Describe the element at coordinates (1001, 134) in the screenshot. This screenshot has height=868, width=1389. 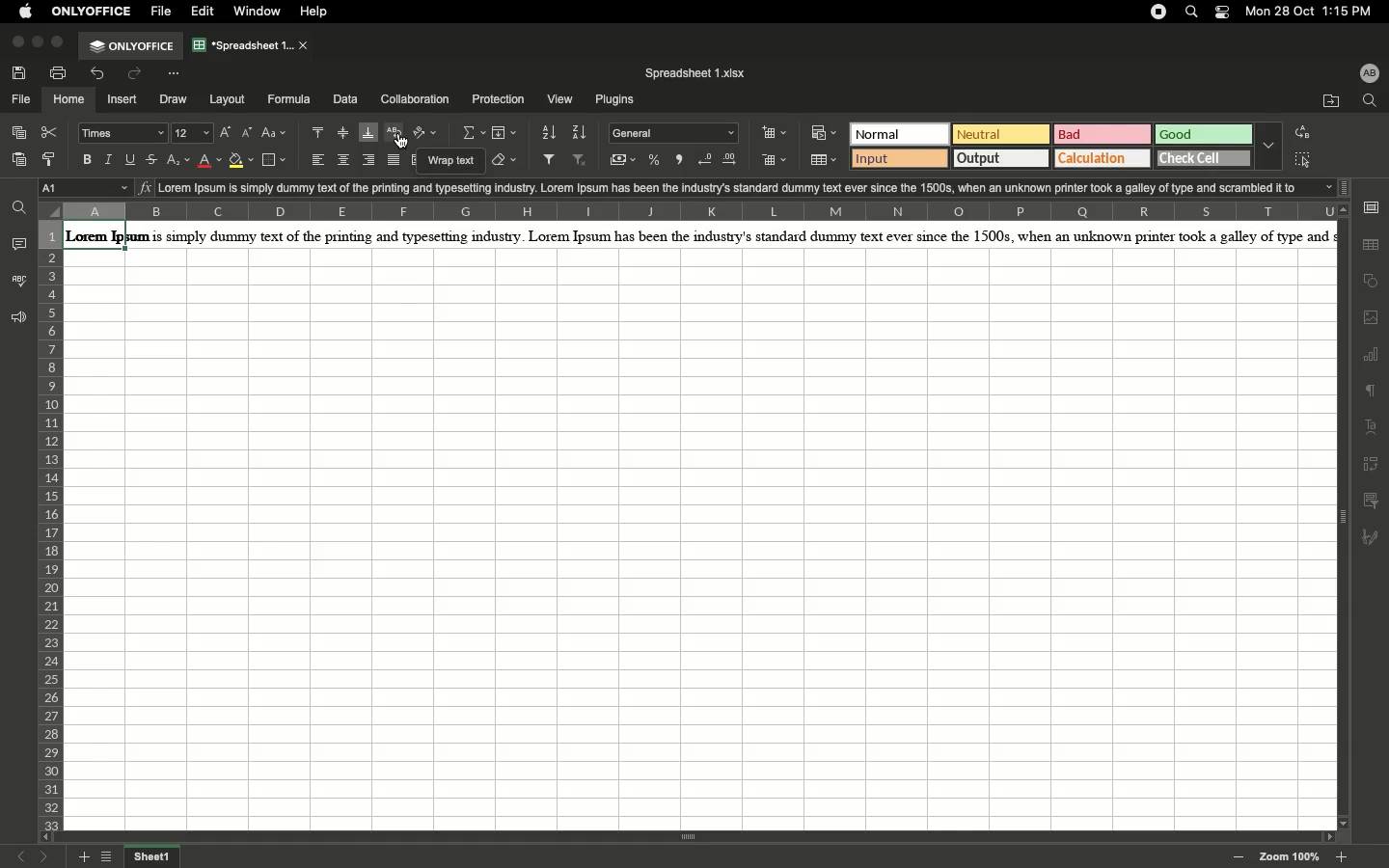
I see `Neutral` at that location.